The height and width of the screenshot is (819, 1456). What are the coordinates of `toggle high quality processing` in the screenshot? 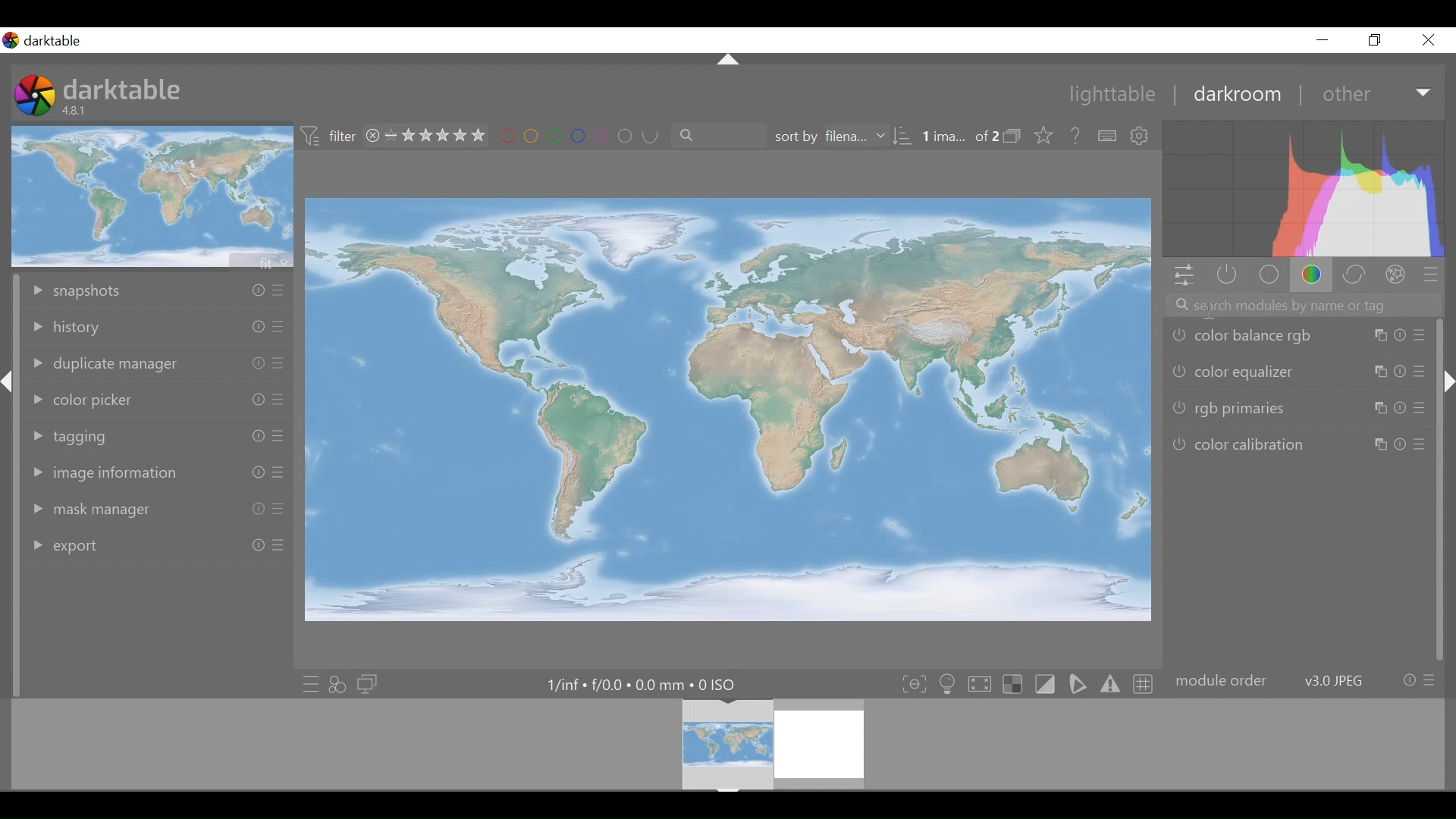 It's located at (979, 684).